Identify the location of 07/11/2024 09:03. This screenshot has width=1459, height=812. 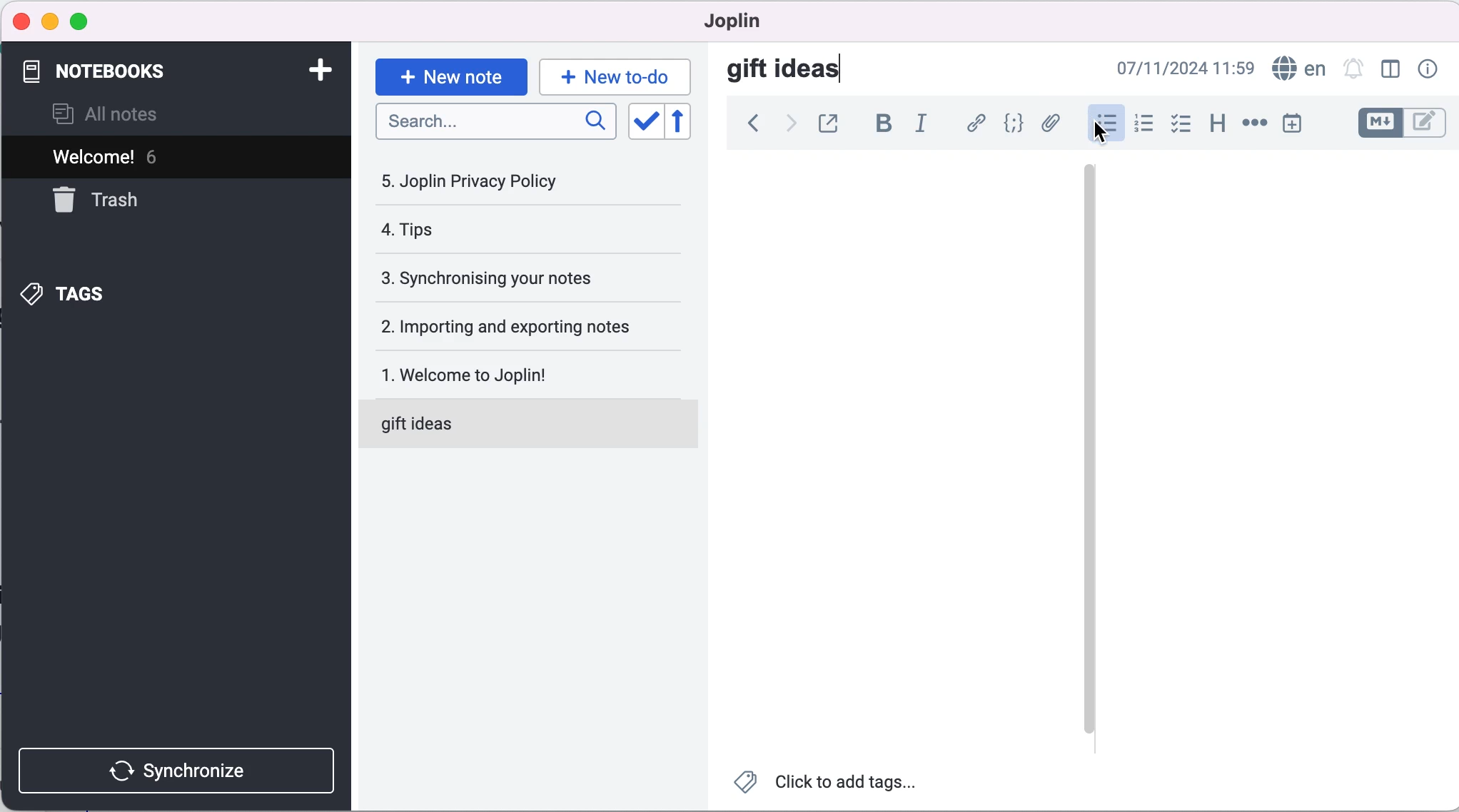
(1171, 69).